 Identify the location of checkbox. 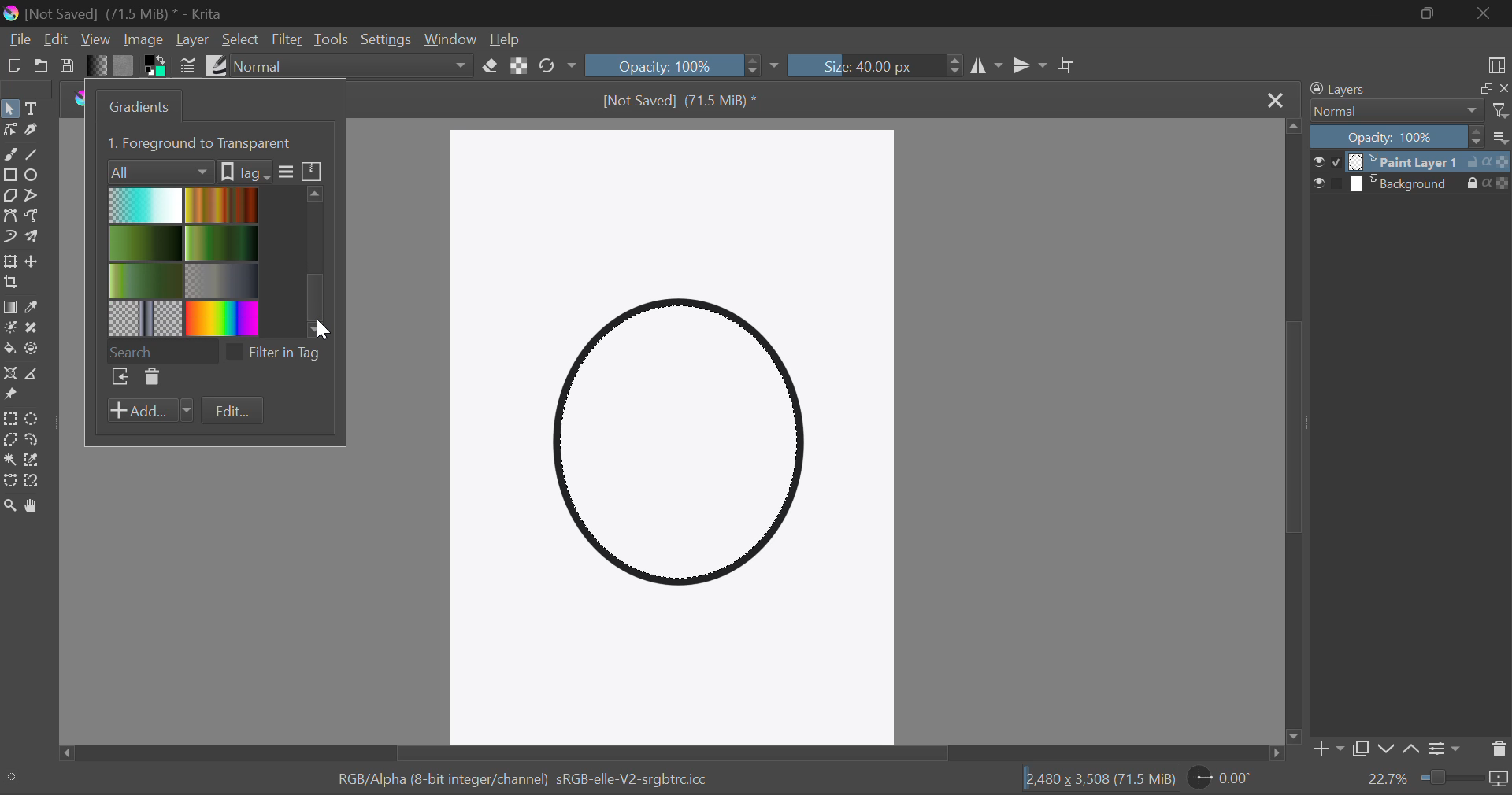
(1326, 162).